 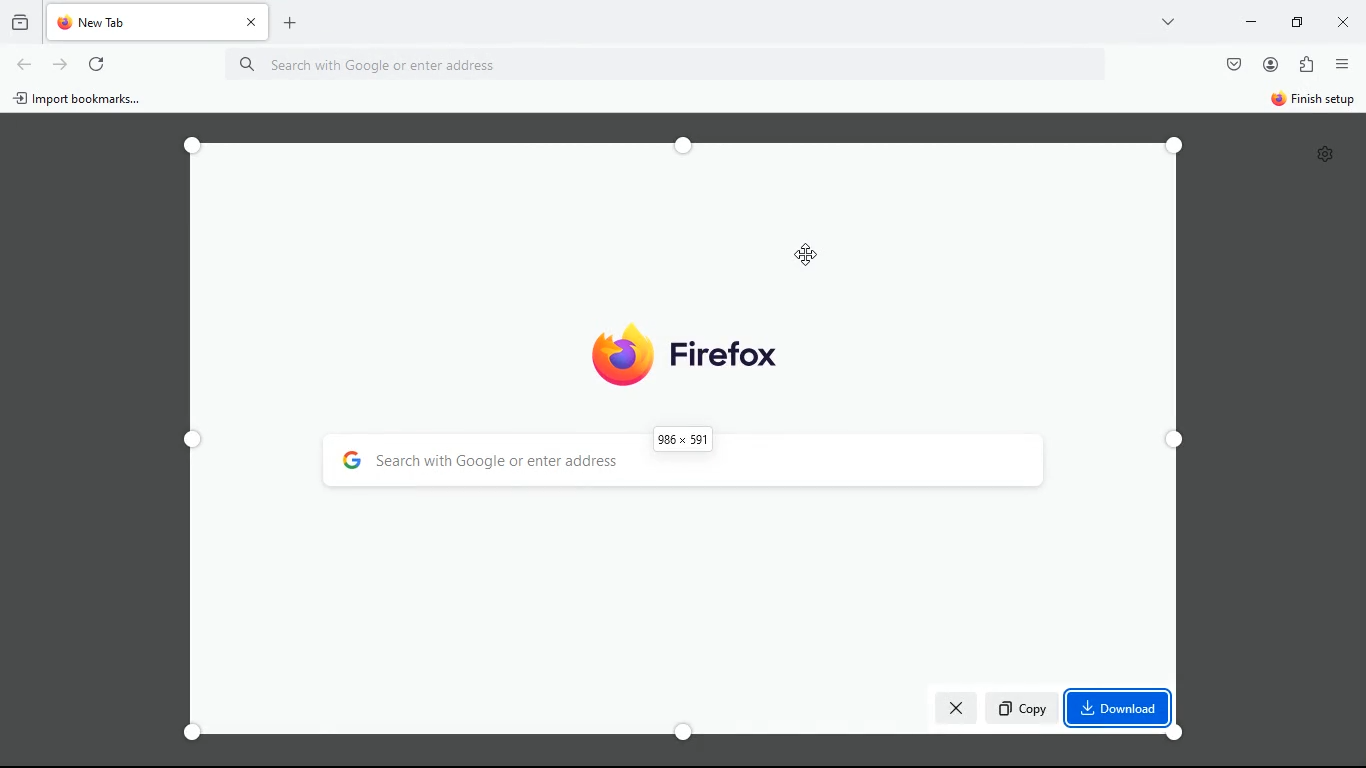 What do you see at coordinates (59, 64) in the screenshot?
I see `refresh` at bounding box center [59, 64].